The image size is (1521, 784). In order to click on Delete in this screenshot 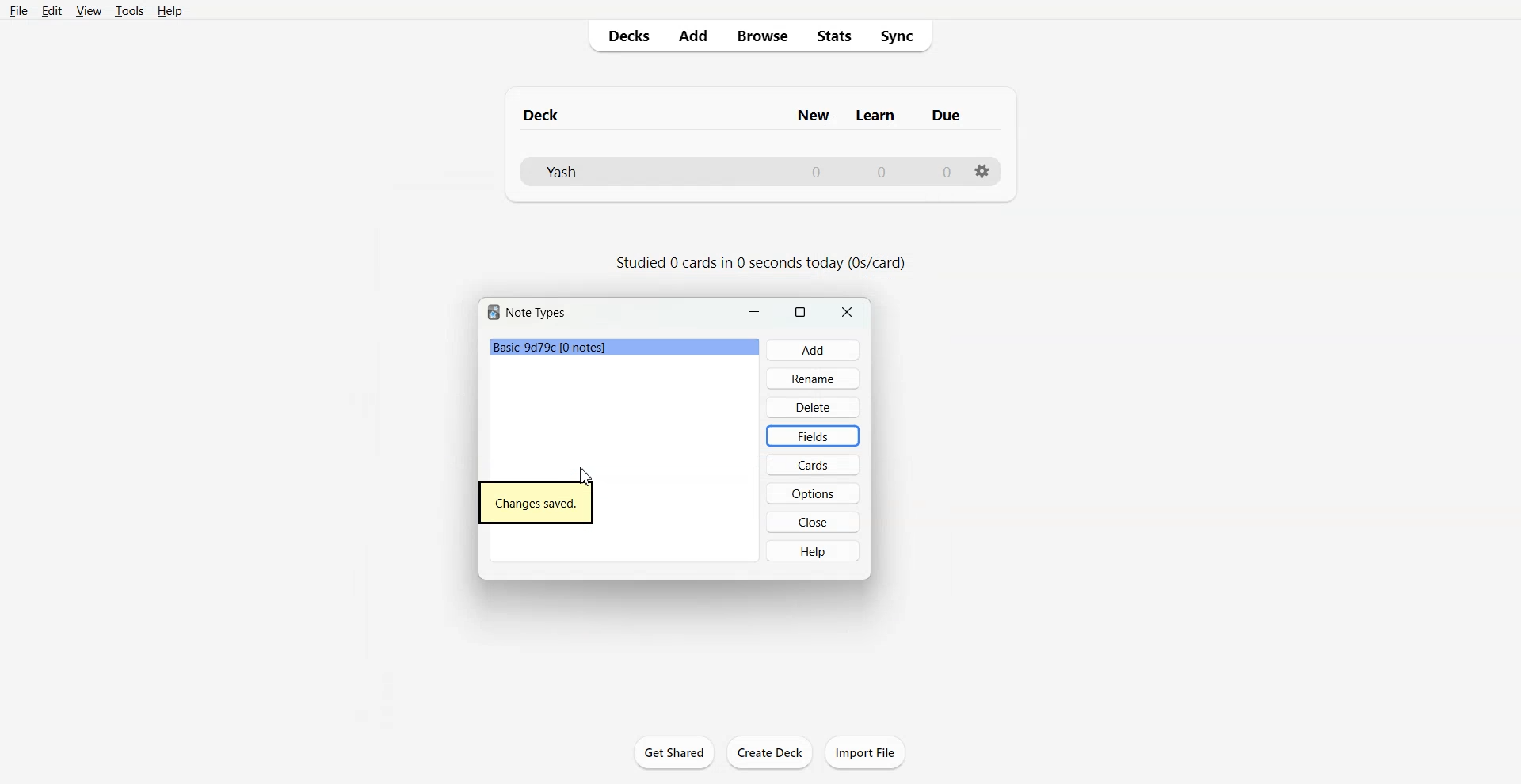, I will do `click(814, 407)`.